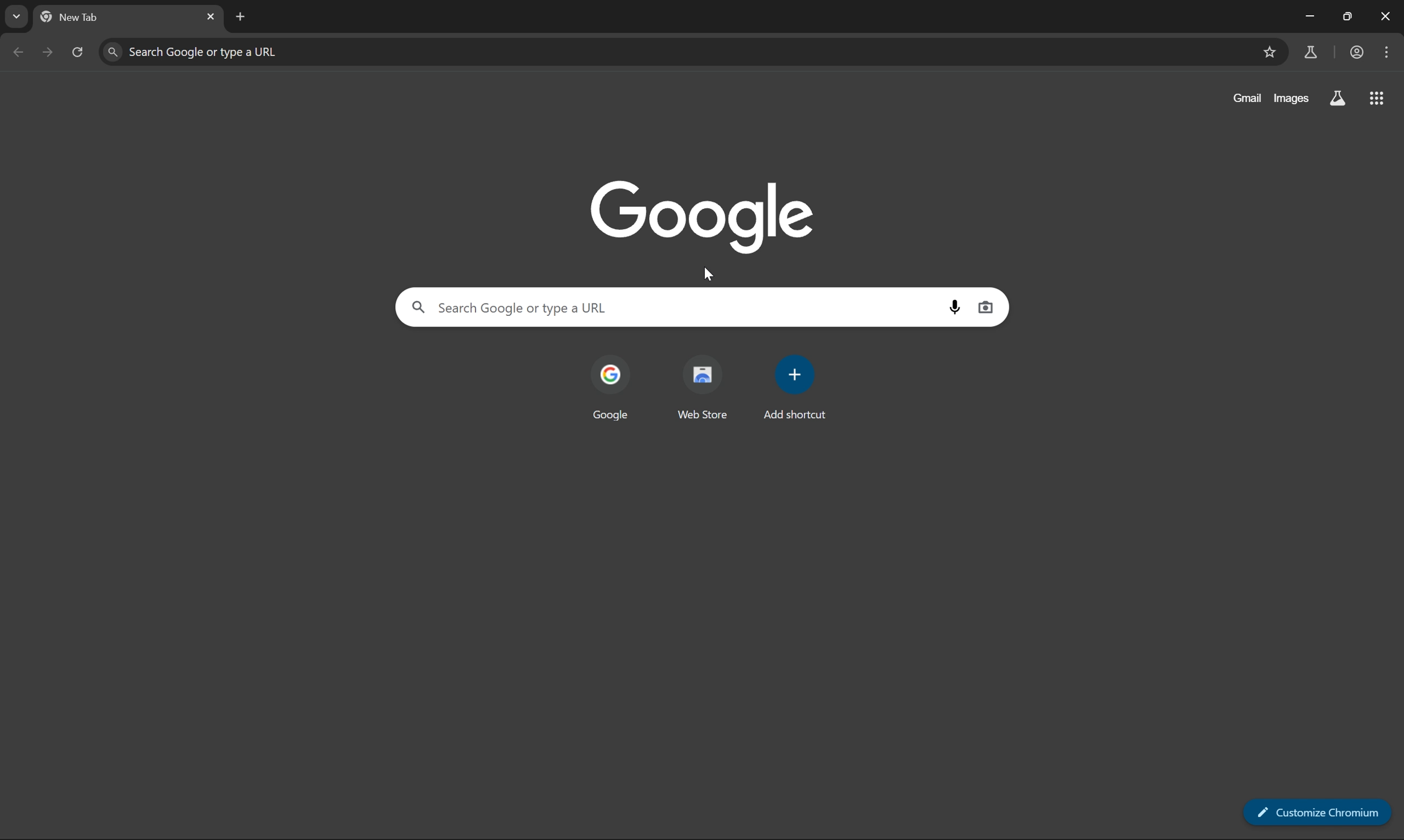 The width and height of the screenshot is (1404, 840). I want to click on cursor, so click(710, 272).